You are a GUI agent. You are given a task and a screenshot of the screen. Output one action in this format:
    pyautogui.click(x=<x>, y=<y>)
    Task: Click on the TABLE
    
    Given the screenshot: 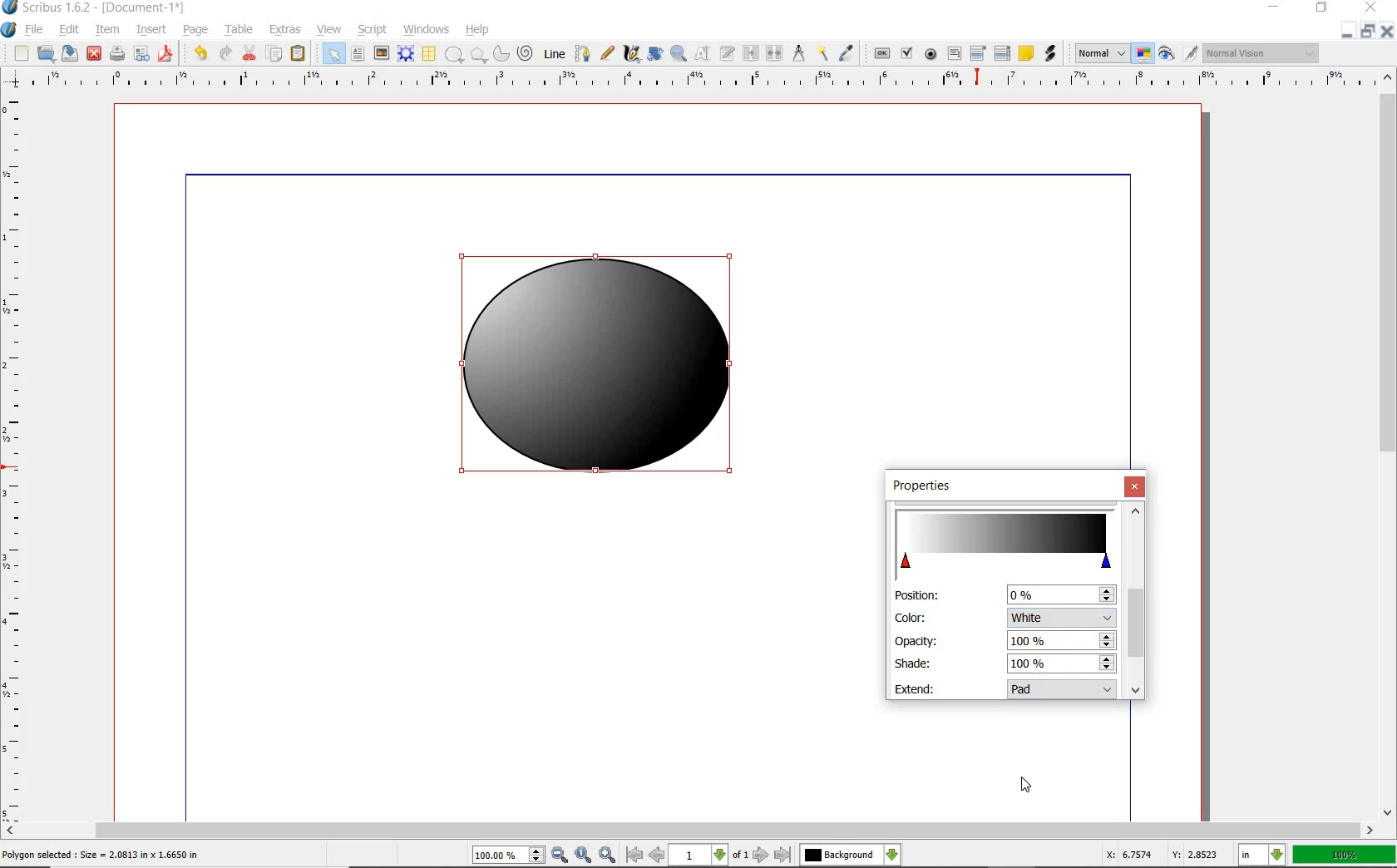 What is the action you would take?
    pyautogui.click(x=428, y=54)
    